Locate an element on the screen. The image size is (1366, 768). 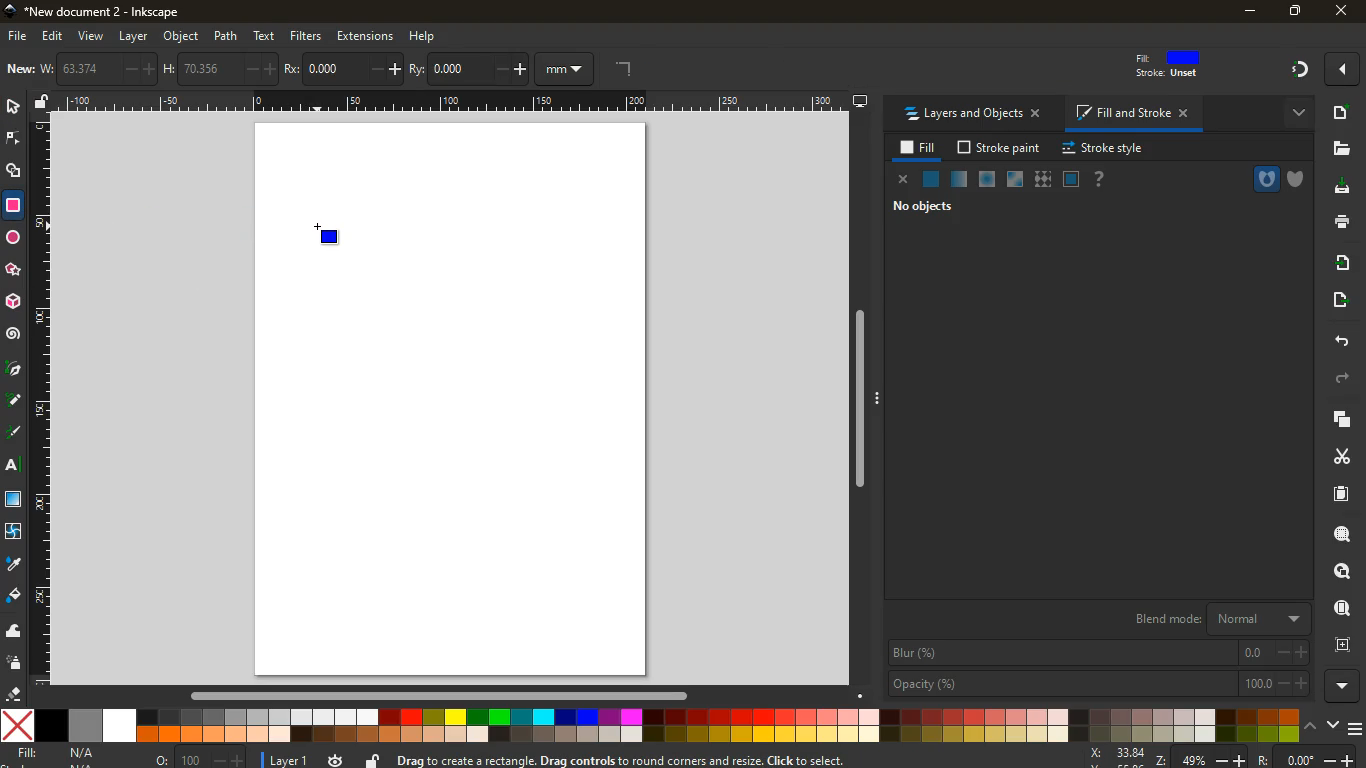
new is located at coordinates (20, 69).